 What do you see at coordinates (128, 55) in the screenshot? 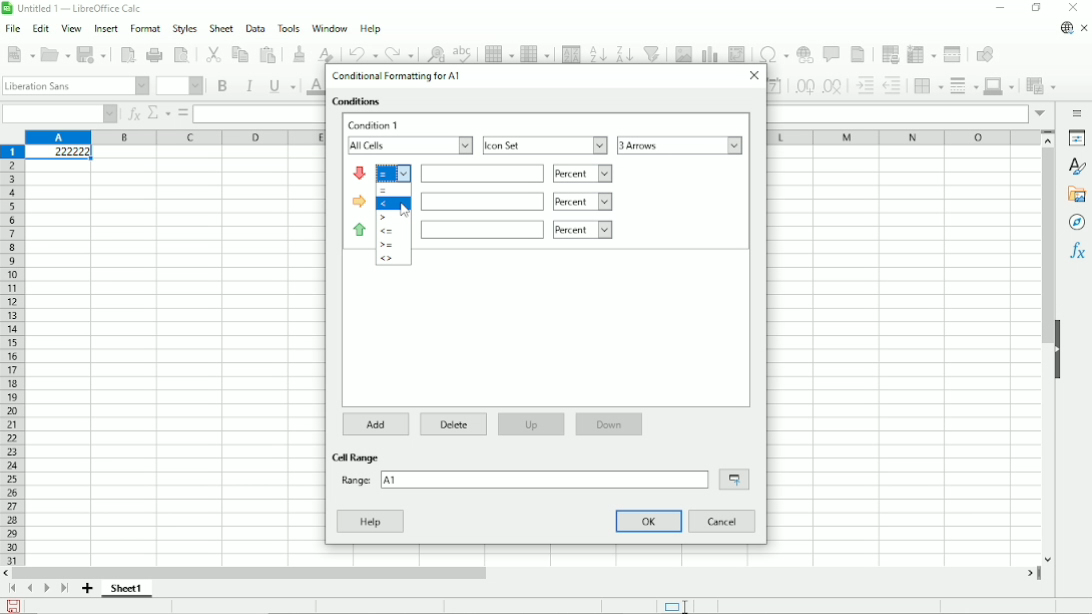
I see `Export directly as PDF` at bounding box center [128, 55].